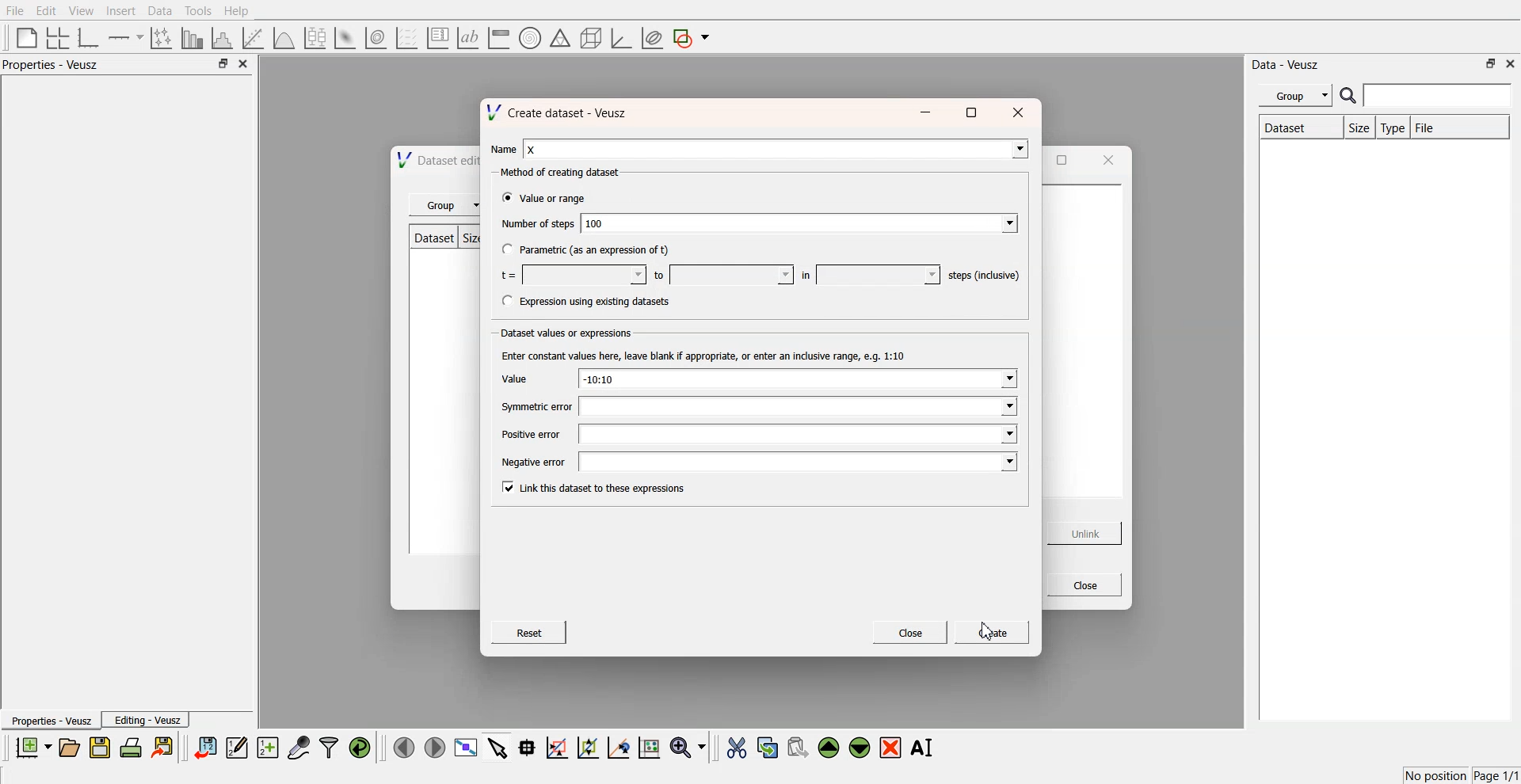 This screenshot has width=1521, height=784. Describe the element at coordinates (558, 40) in the screenshot. I see `ternary shapes` at that location.